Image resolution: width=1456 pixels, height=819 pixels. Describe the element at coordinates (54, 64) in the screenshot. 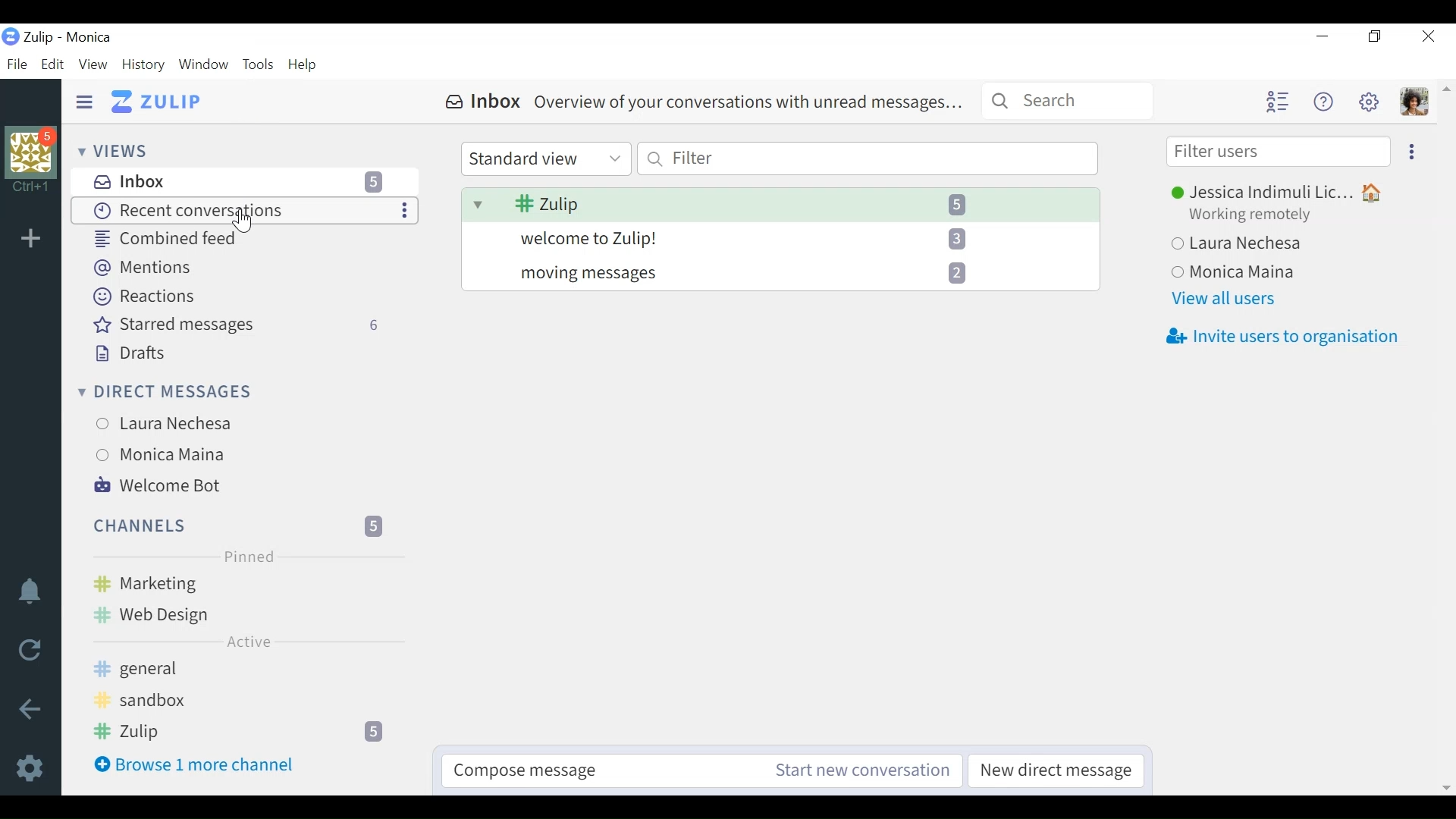

I see `Edit` at that location.